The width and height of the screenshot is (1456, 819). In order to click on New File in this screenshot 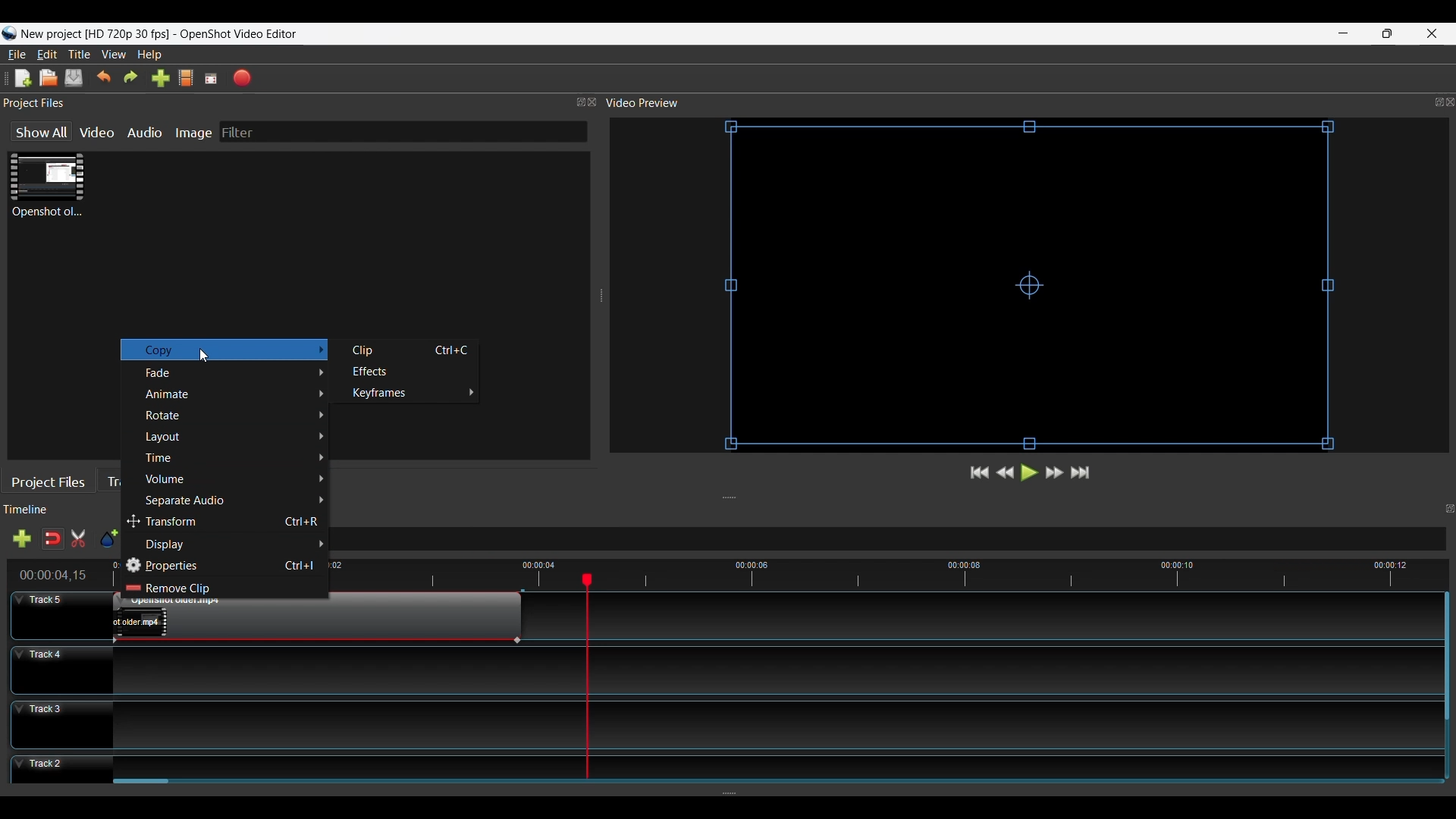, I will do `click(20, 77)`.